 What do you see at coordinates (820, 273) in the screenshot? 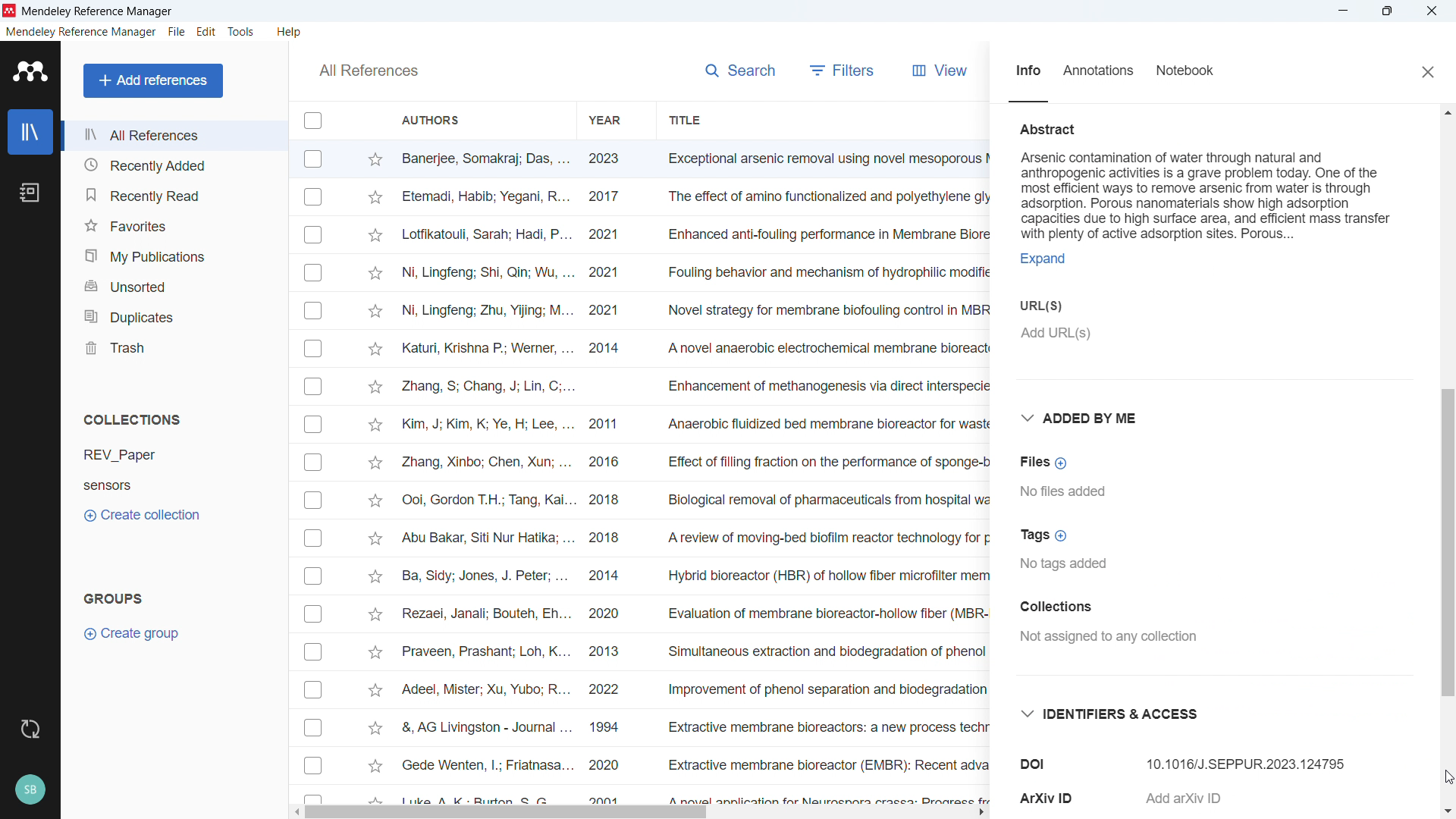
I see `fouling behavior and mechanism of hydrophilic modified membrane in anam` at bounding box center [820, 273].